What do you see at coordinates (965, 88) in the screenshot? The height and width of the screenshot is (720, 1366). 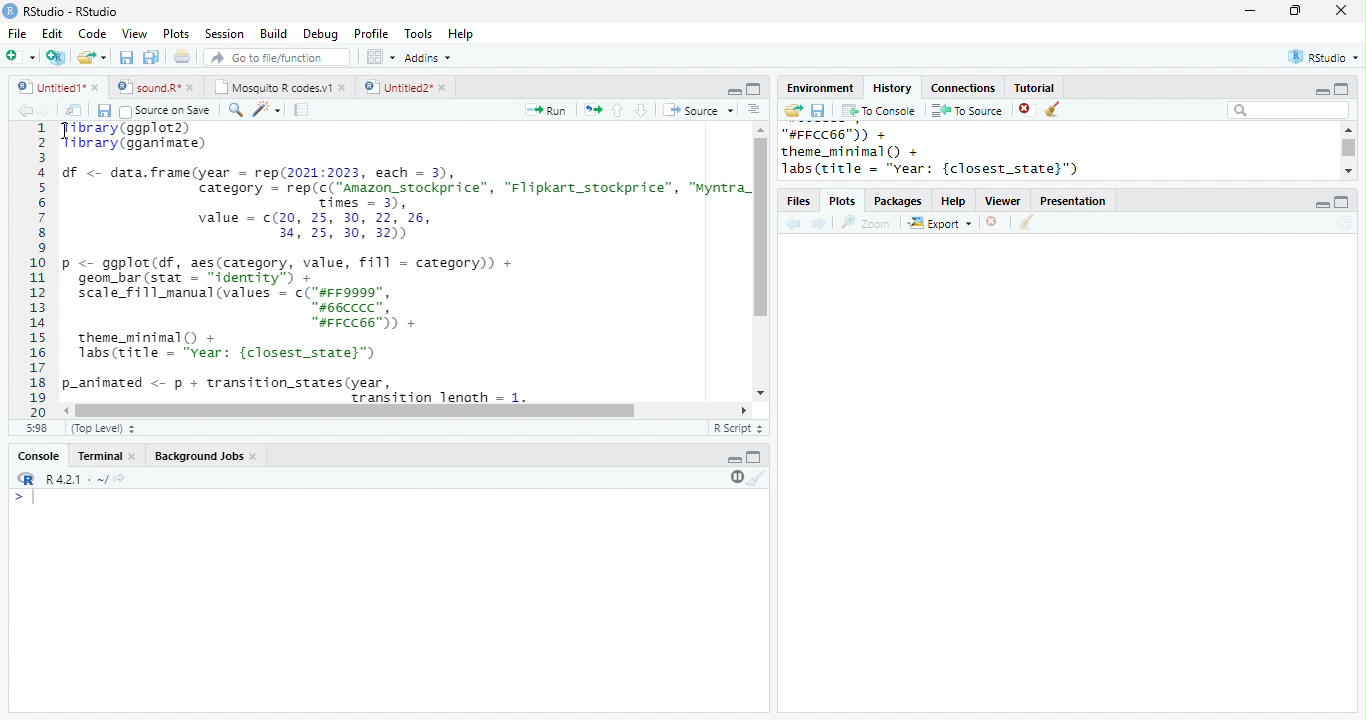 I see `Connections` at bounding box center [965, 88].